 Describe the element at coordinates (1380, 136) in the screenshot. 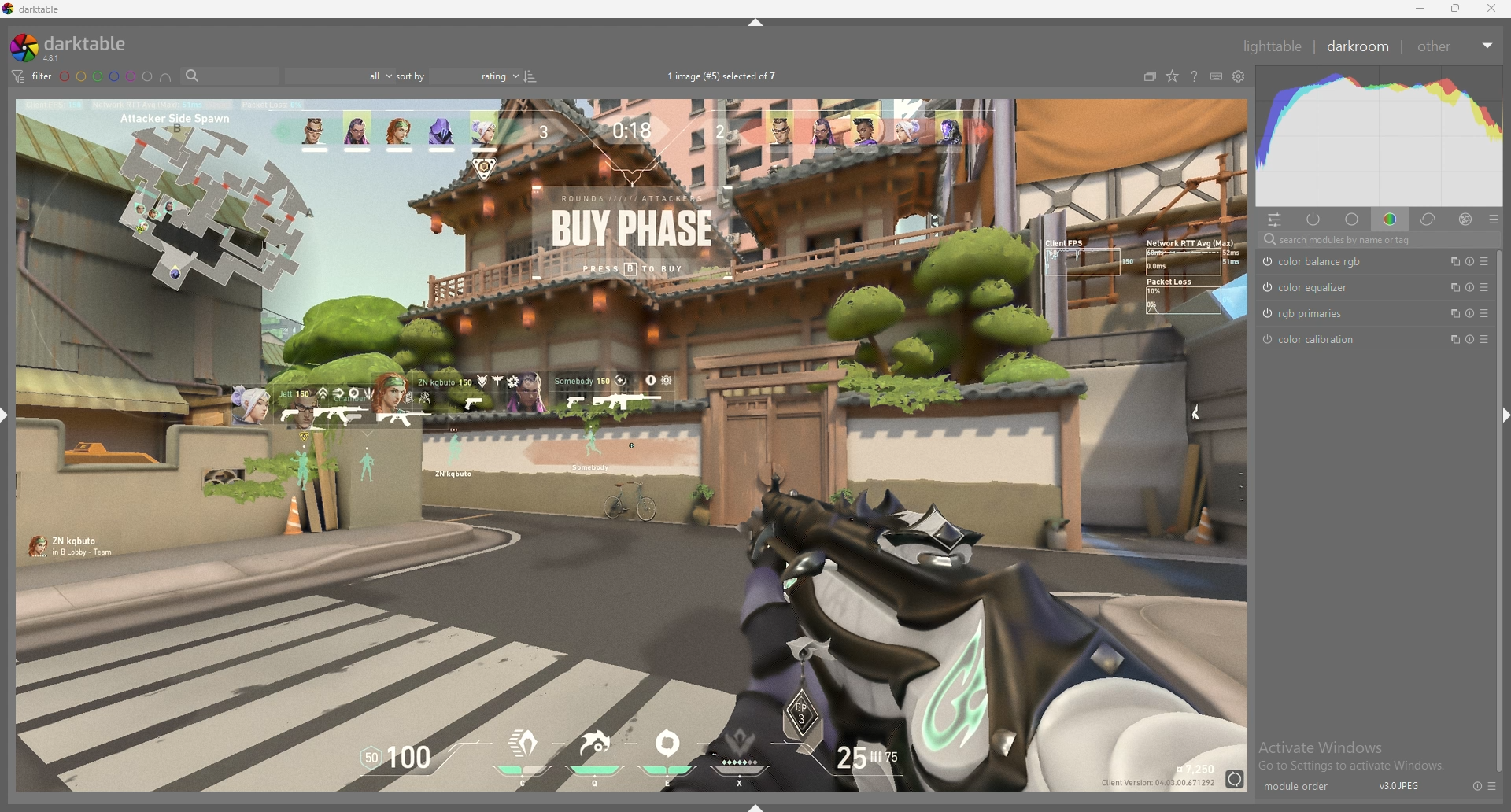

I see `heat graph` at that location.